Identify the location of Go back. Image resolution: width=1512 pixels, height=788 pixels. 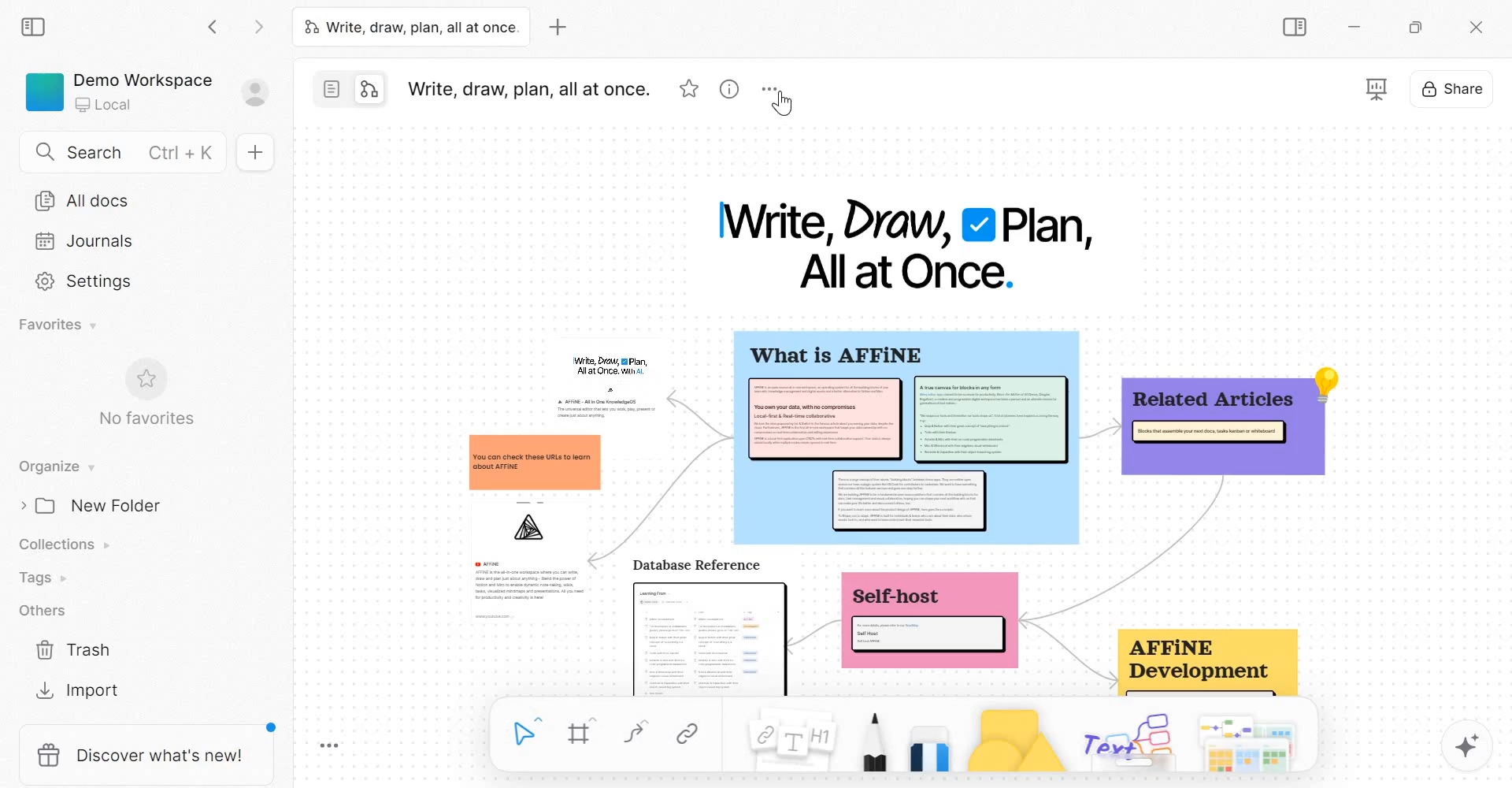
(217, 30).